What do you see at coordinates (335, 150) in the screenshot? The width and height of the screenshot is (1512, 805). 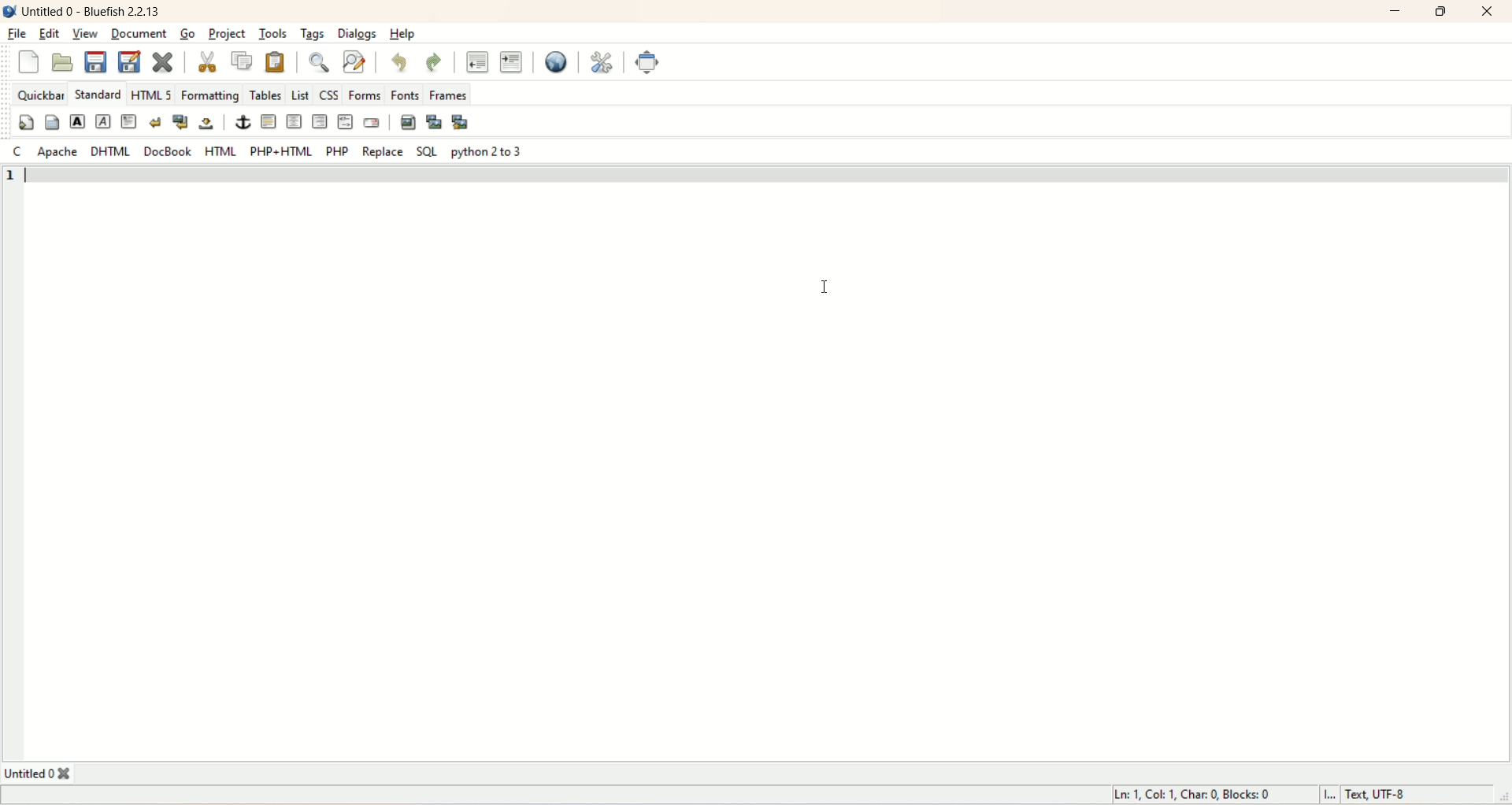 I see `PHP` at bounding box center [335, 150].